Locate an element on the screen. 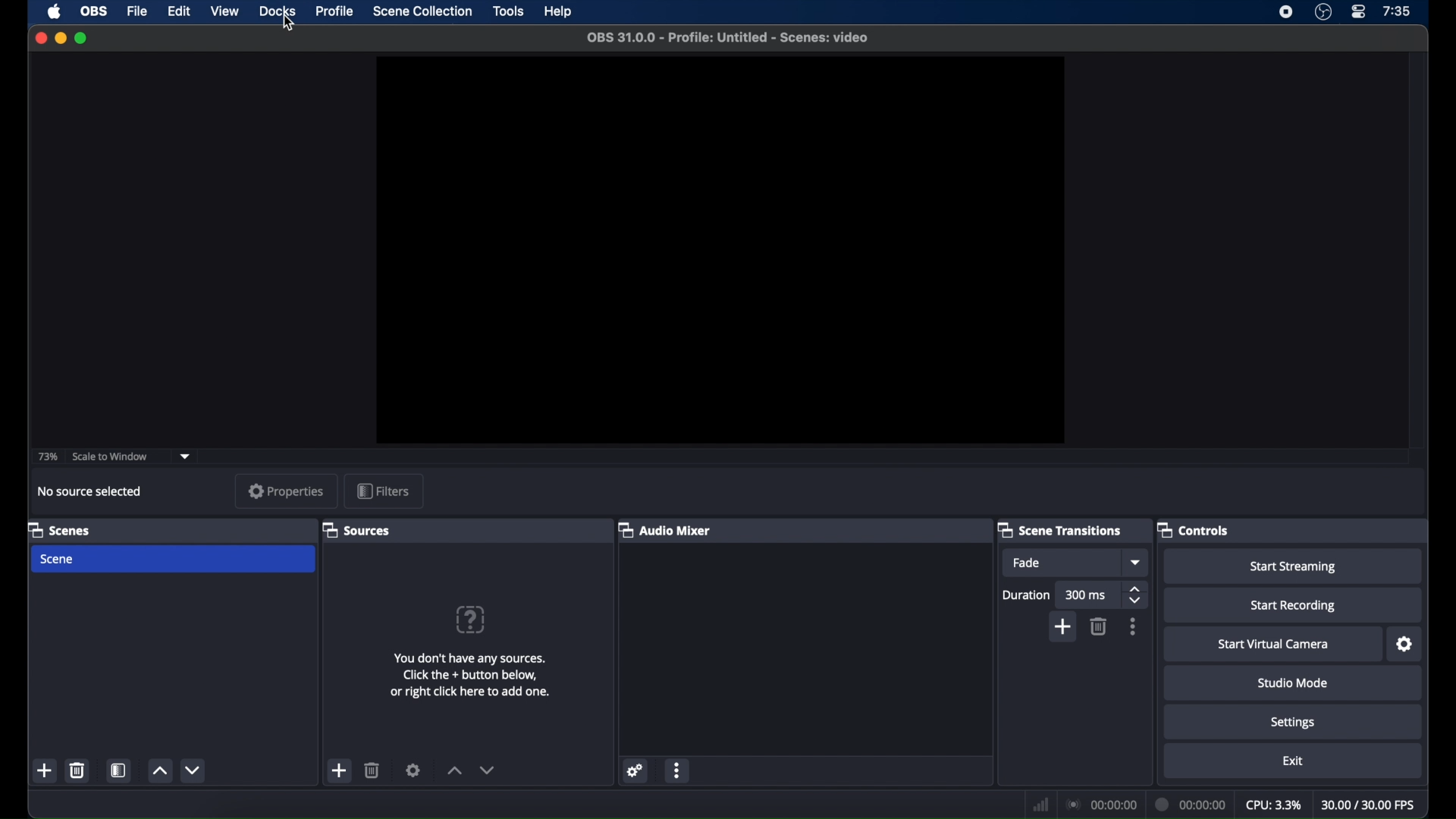 The height and width of the screenshot is (819, 1456). duration is located at coordinates (1025, 594).